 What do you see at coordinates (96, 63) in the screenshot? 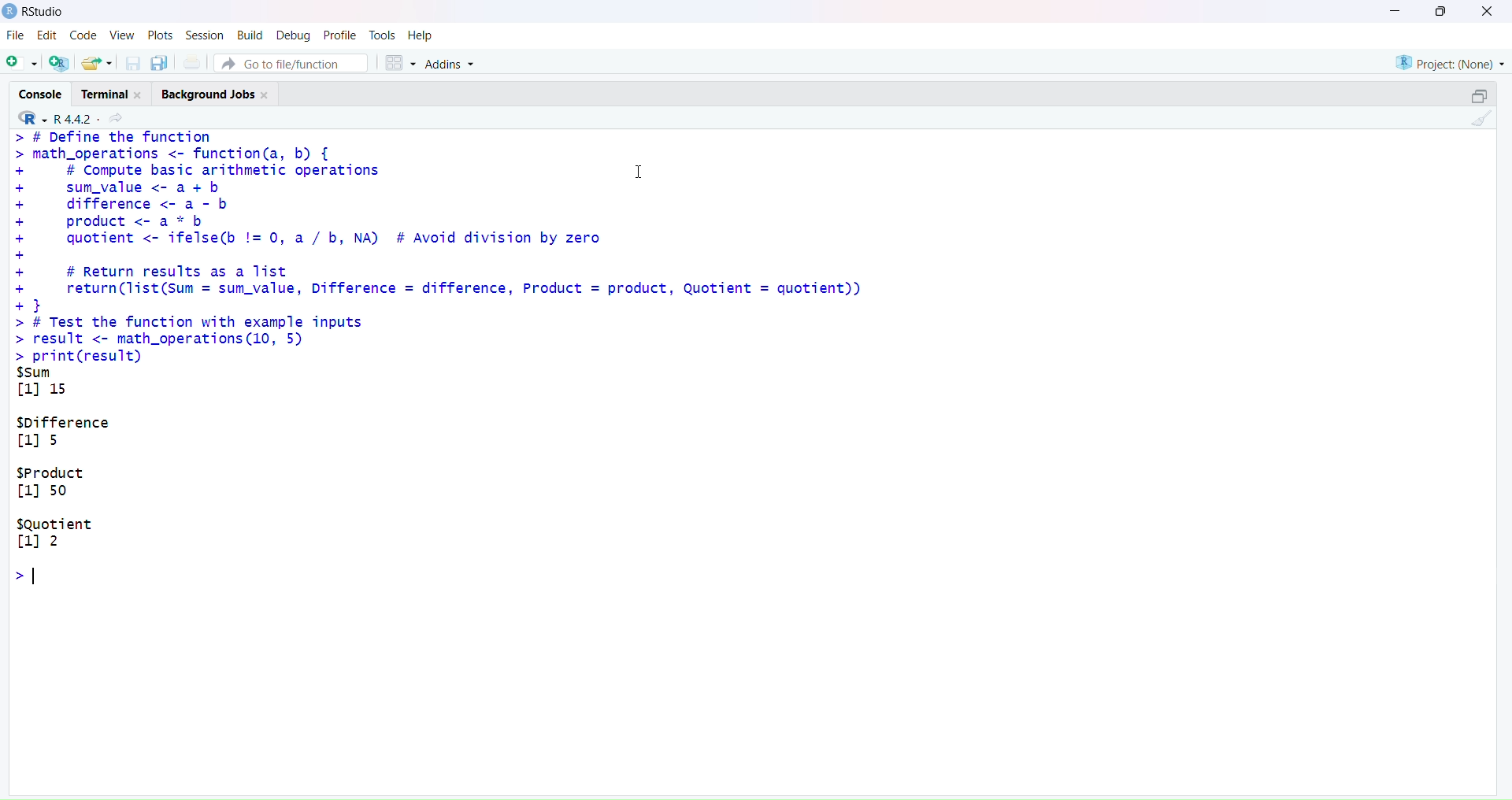
I see `Open an existing file (Ctrl + O)` at bounding box center [96, 63].